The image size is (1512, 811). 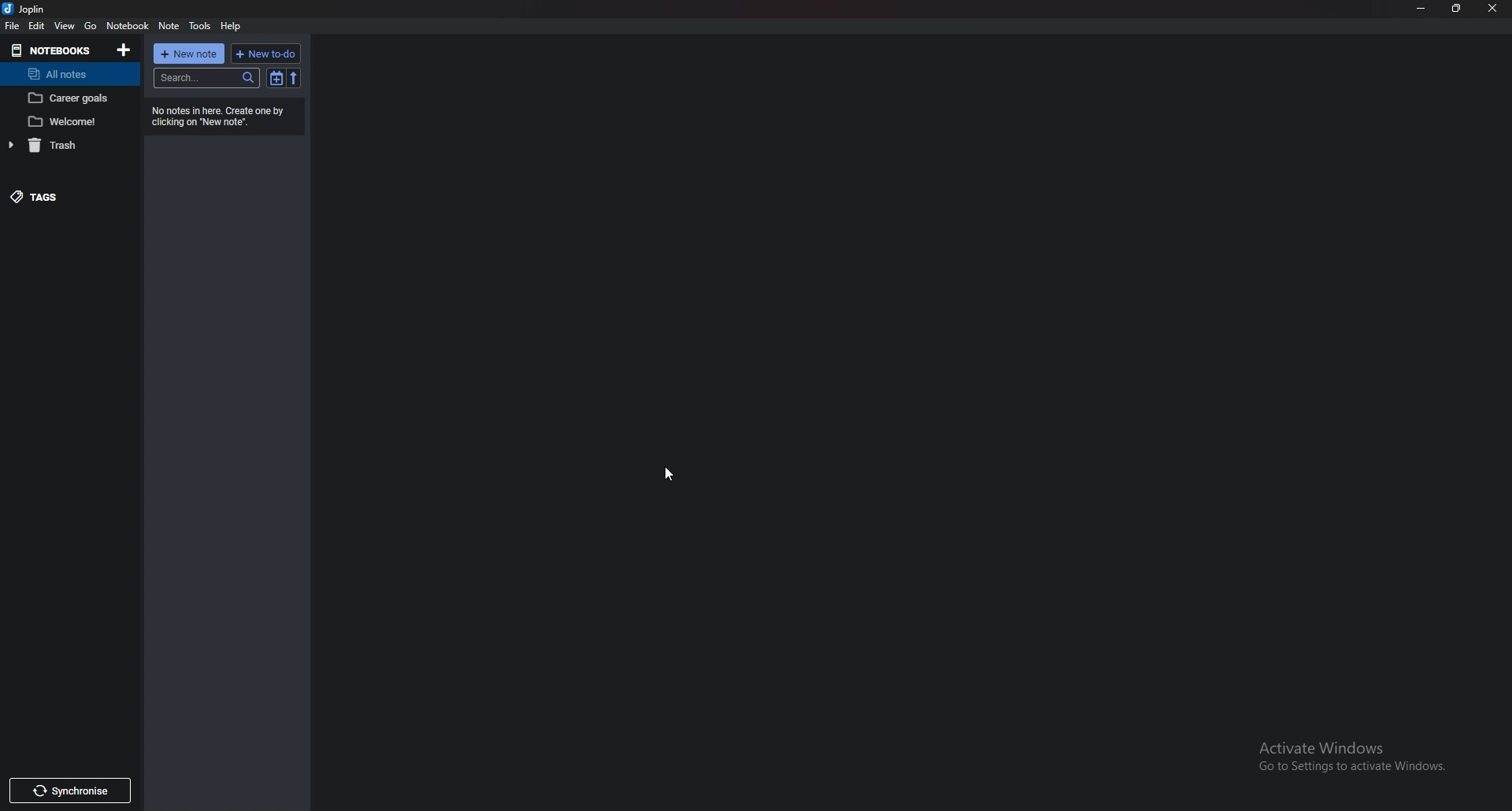 What do you see at coordinates (27, 9) in the screenshot?
I see `joplin` at bounding box center [27, 9].